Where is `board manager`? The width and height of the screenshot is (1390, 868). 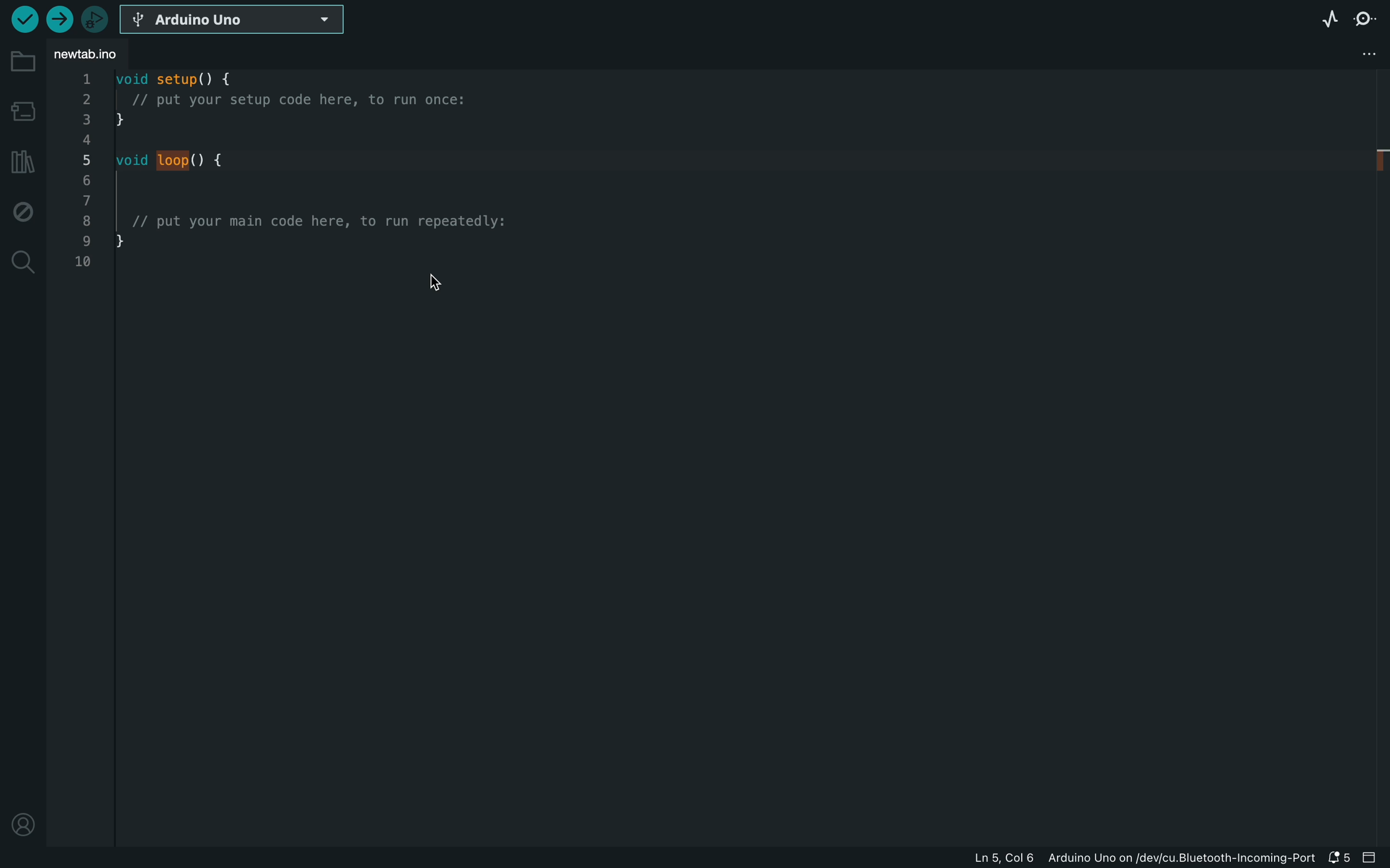 board manager is located at coordinates (22, 114).